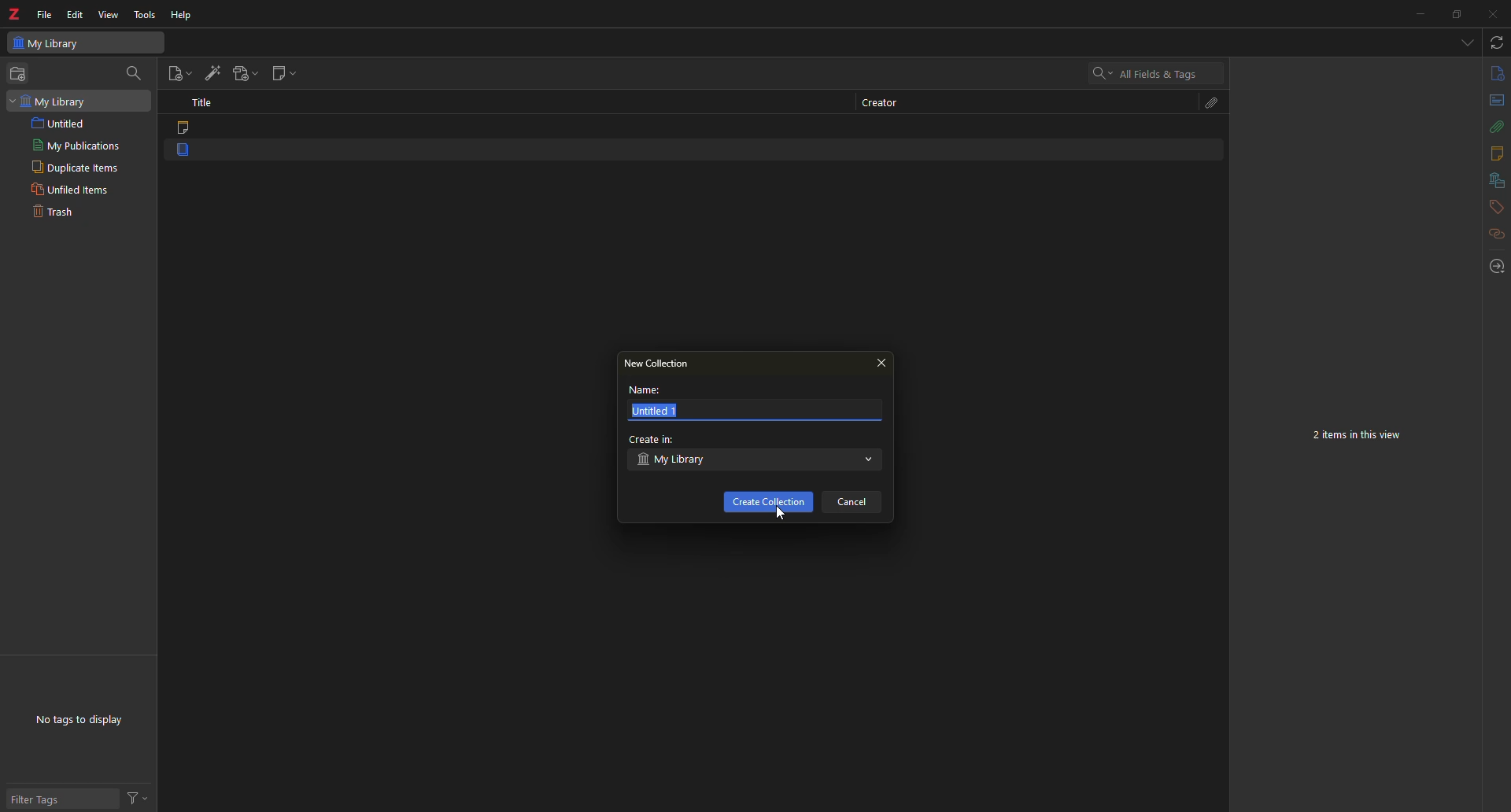  Describe the element at coordinates (1466, 43) in the screenshot. I see `tabs` at that location.